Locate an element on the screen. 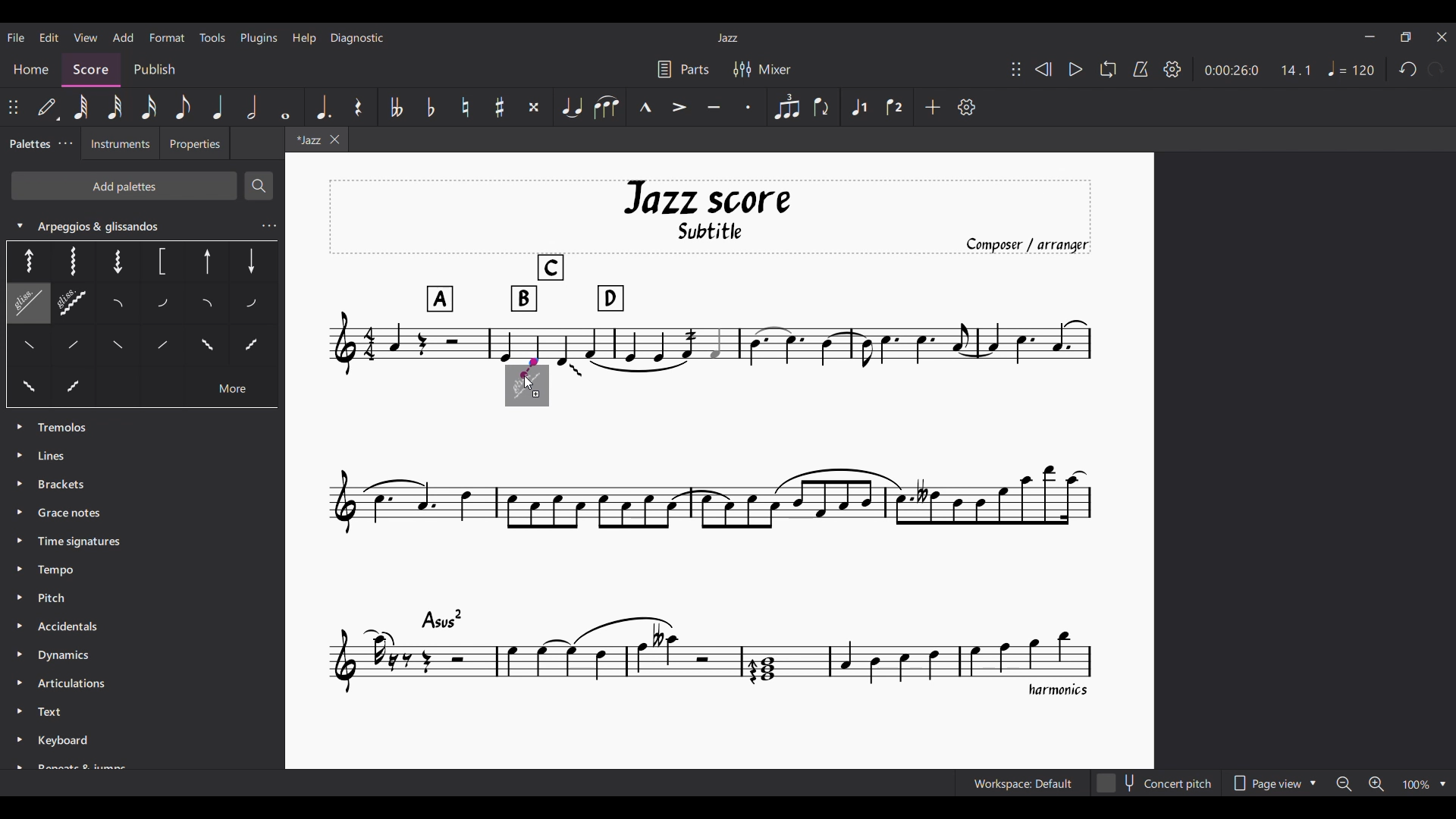 The height and width of the screenshot is (819, 1456). Plate 4 is located at coordinates (160, 262).